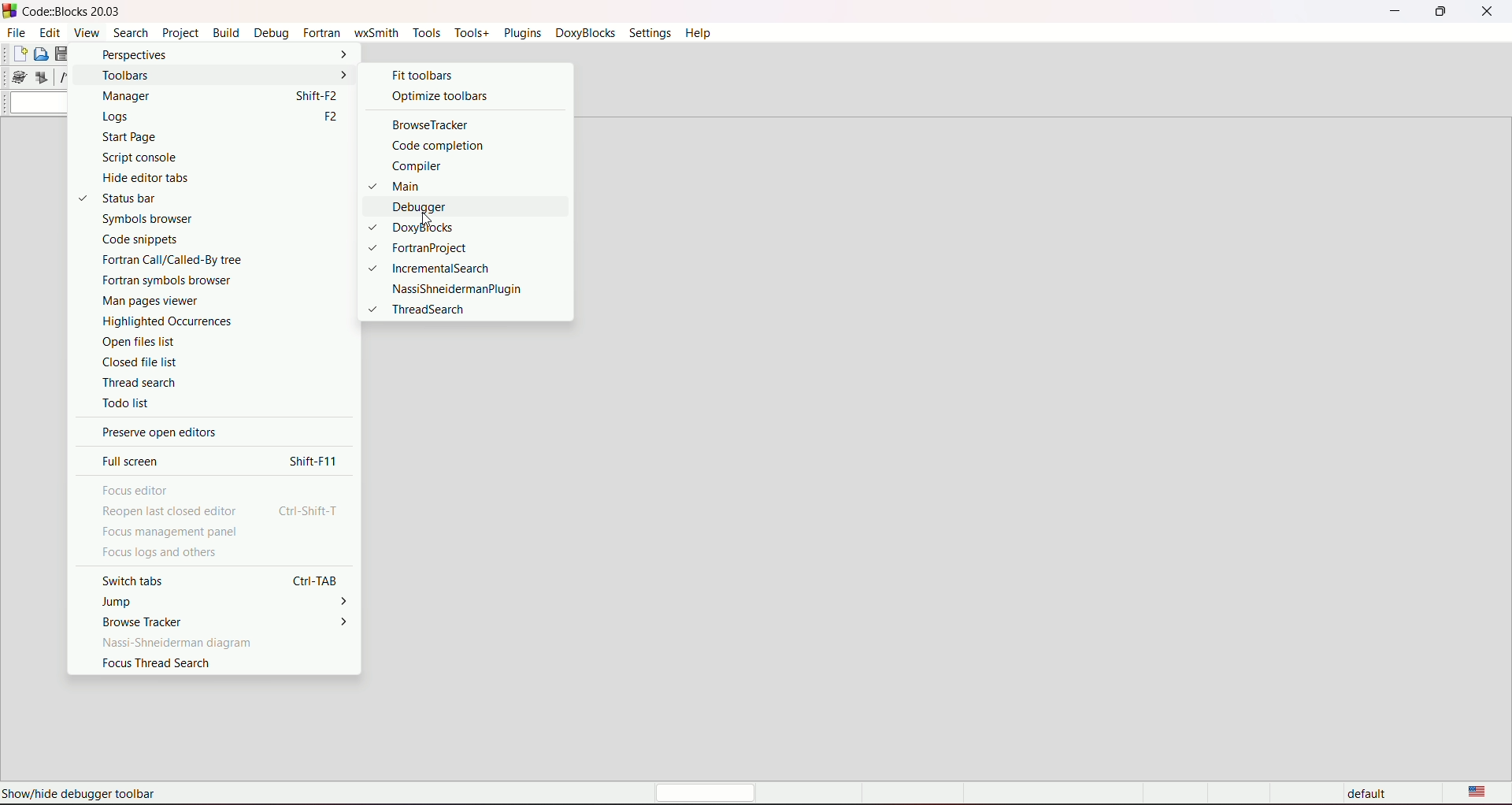  Describe the element at coordinates (1370, 795) in the screenshot. I see `default` at that location.